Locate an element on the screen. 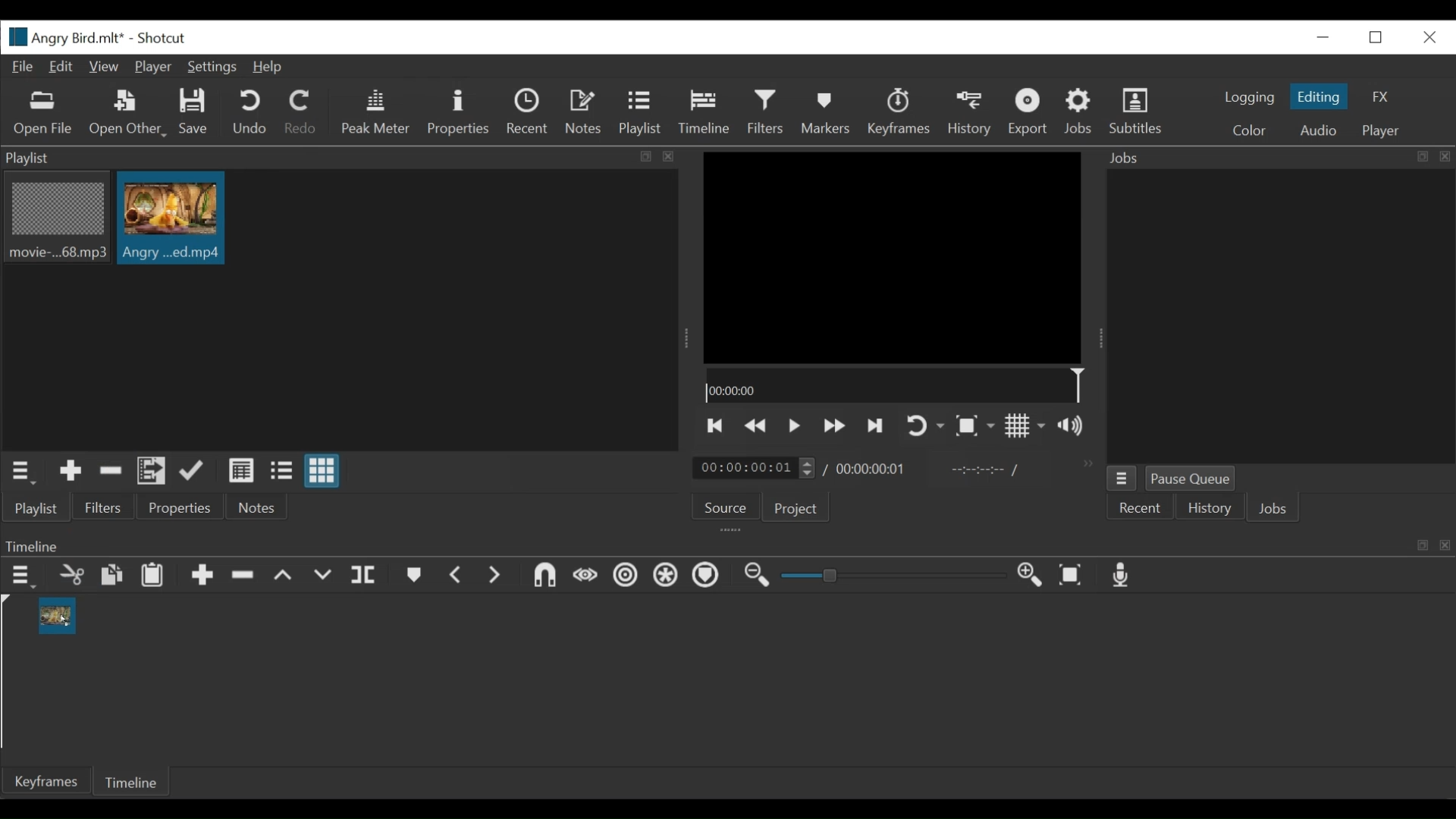 This screenshot has height=819, width=1456. Playlist is located at coordinates (642, 114).